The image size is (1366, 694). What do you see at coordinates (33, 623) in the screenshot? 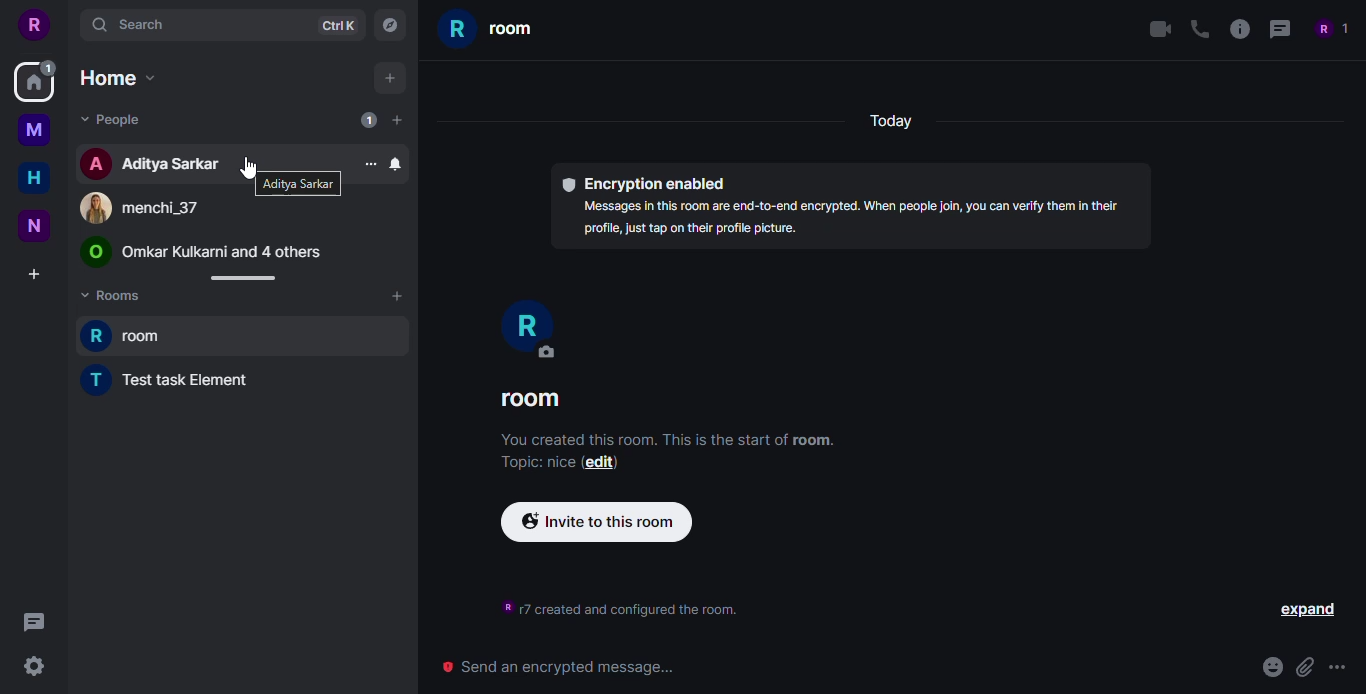
I see `threads` at bounding box center [33, 623].